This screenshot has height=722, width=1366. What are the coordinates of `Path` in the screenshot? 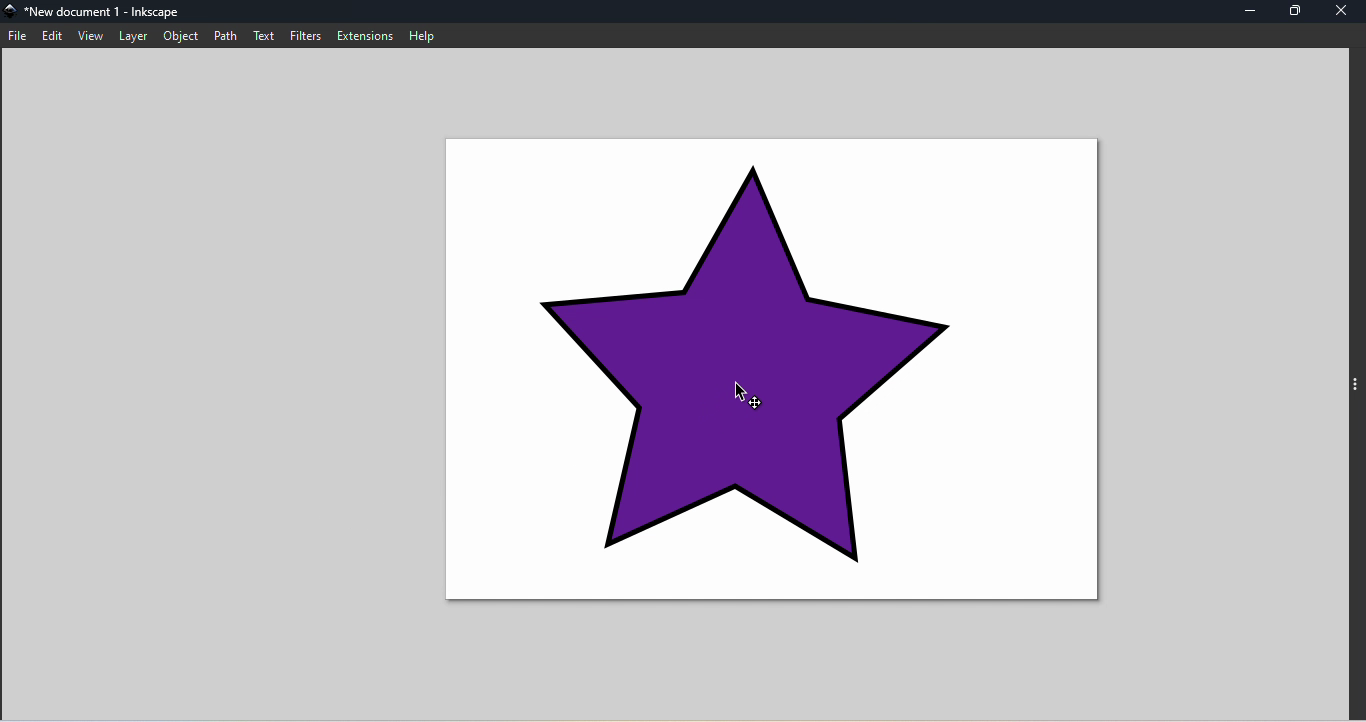 It's located at (225, 38).